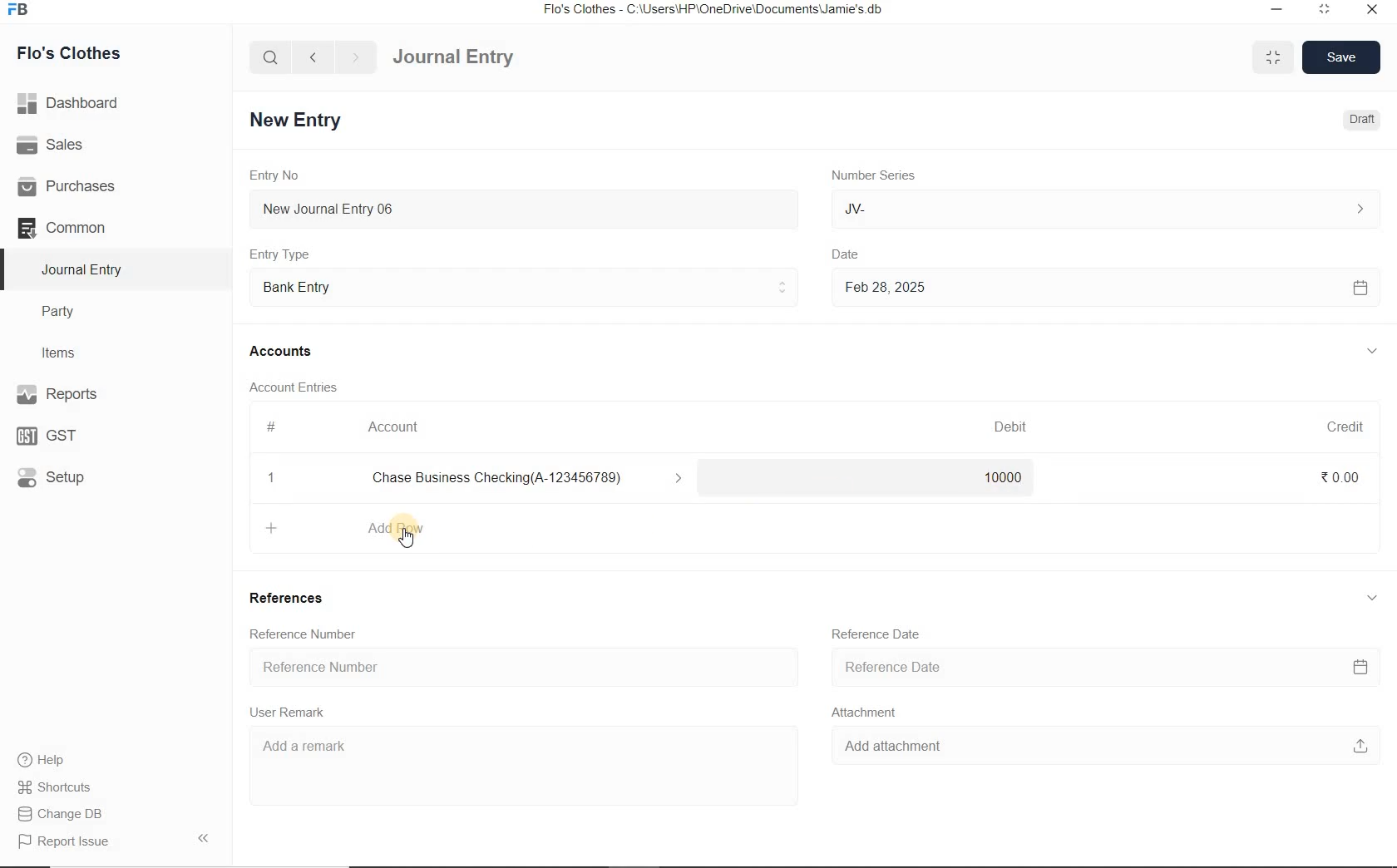 Image resolution: width=1397 pixels, height=868 pixels. What do you see at coordinates (524, 207) in the screenshot?
I see `New Journal Entry 06` at bounding box center [524, 207].